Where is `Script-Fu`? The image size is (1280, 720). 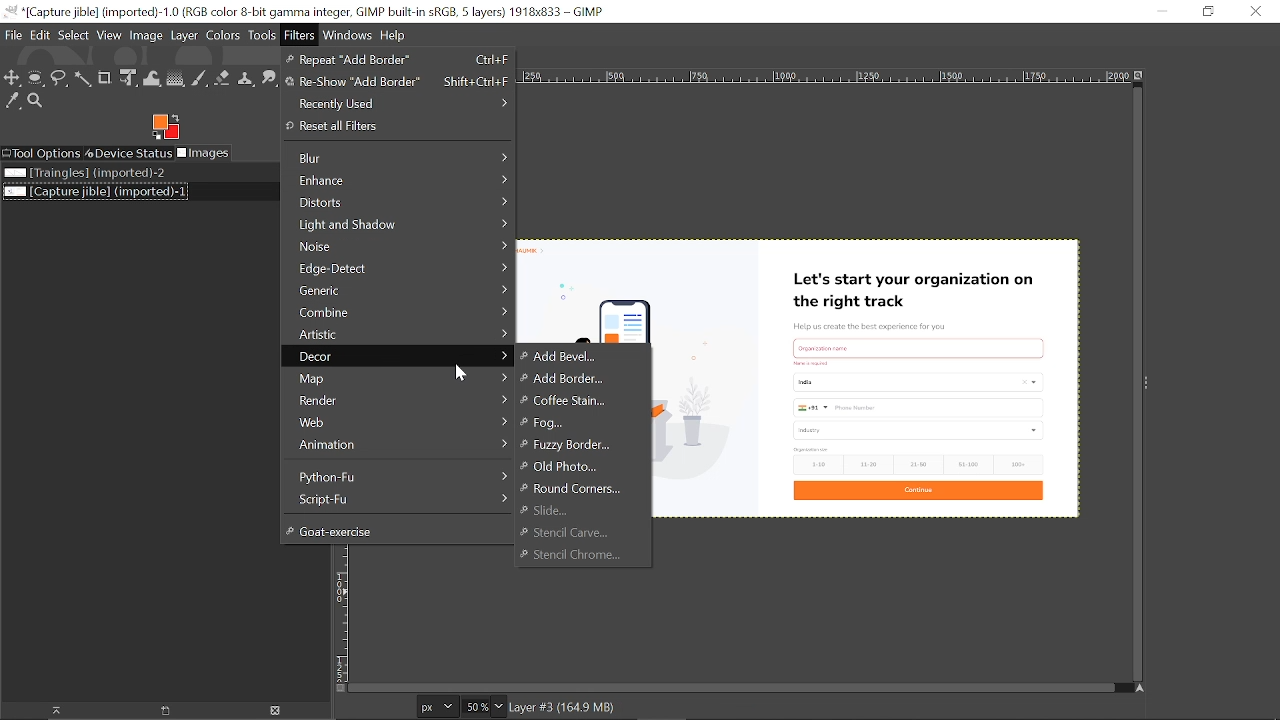 Script-Fu is located at coordinates (395, 499).